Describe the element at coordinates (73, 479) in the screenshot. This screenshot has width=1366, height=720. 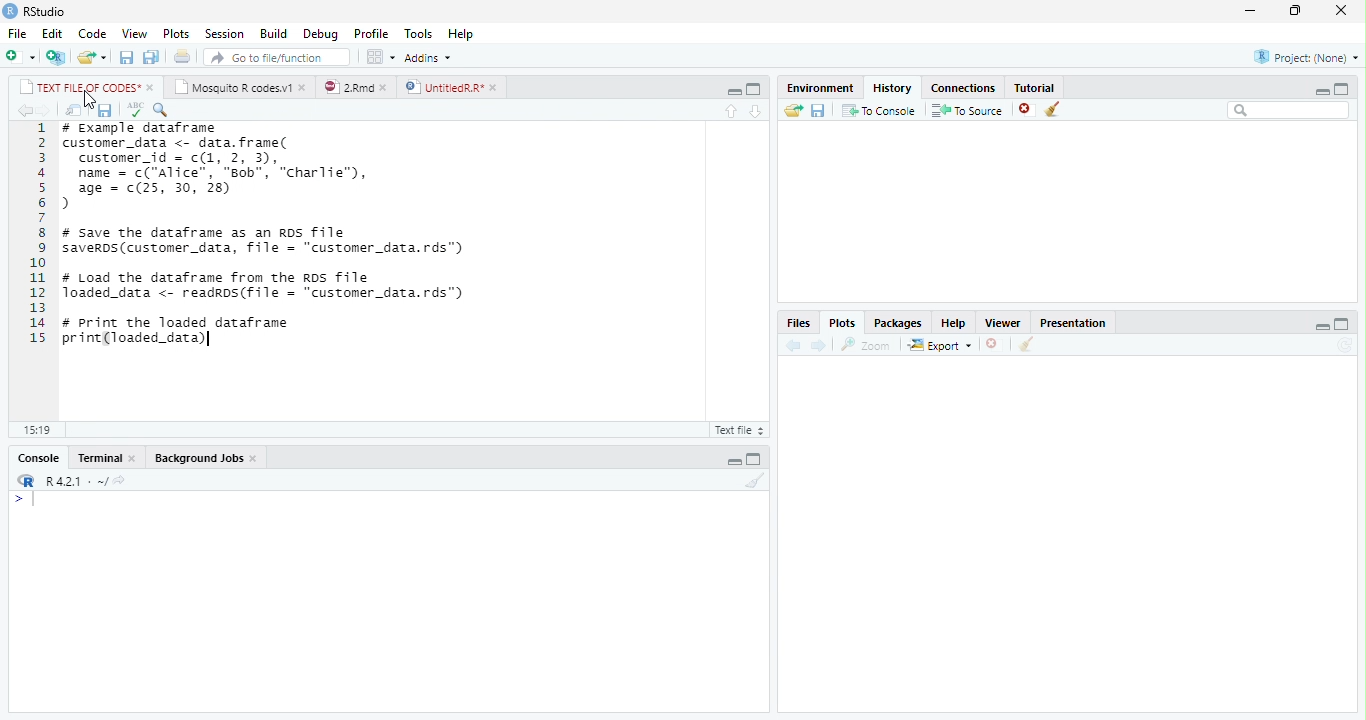
I see `R 4.2.1 .~/` at that location.